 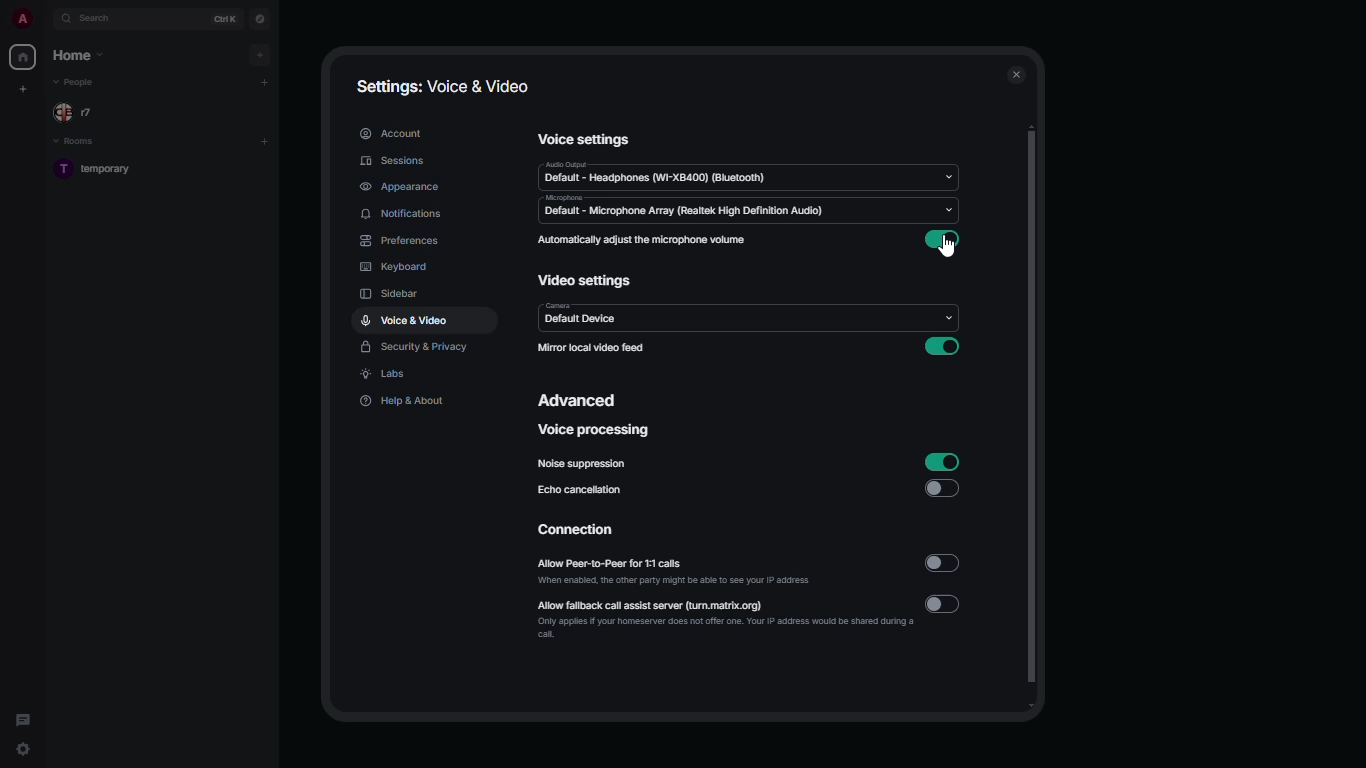 What do you see at coordinates (943, 347) in the screenshot?
I see `enabled` at bounding box center [943, 347].